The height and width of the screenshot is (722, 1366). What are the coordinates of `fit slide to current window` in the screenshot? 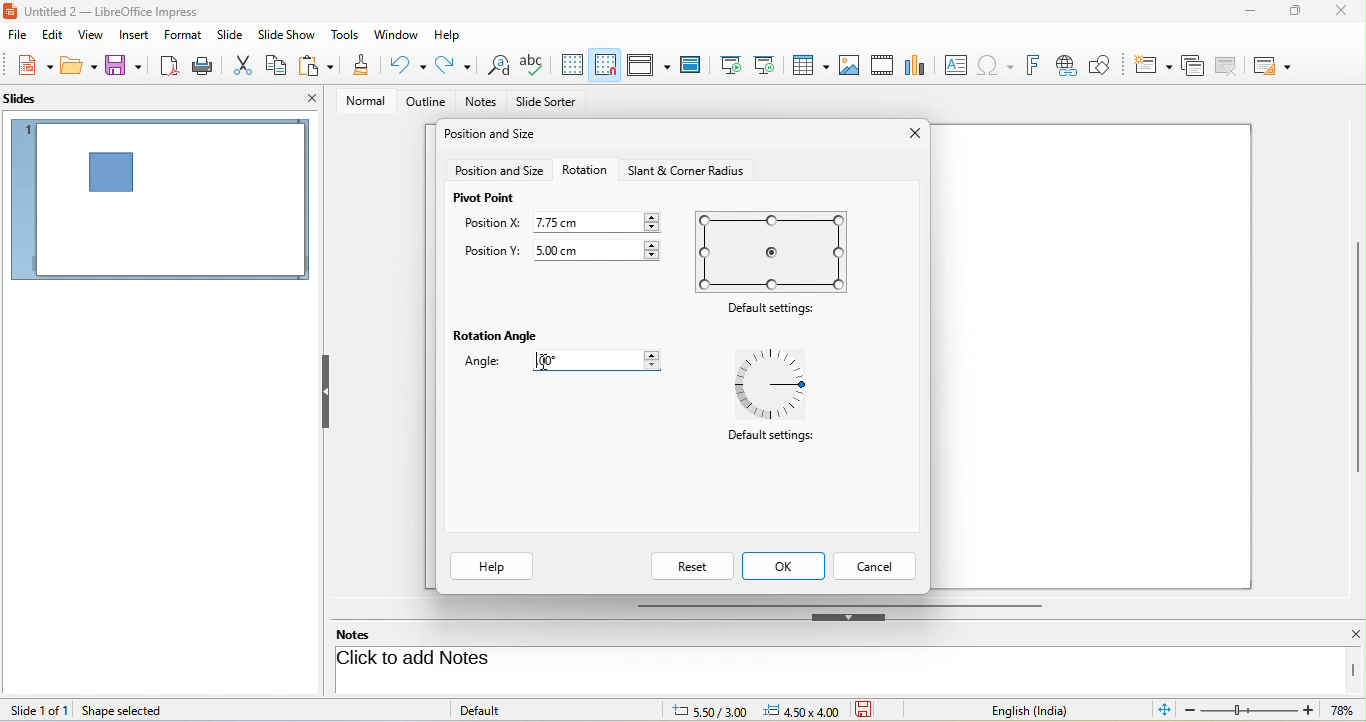 It's located at (1166, 710).